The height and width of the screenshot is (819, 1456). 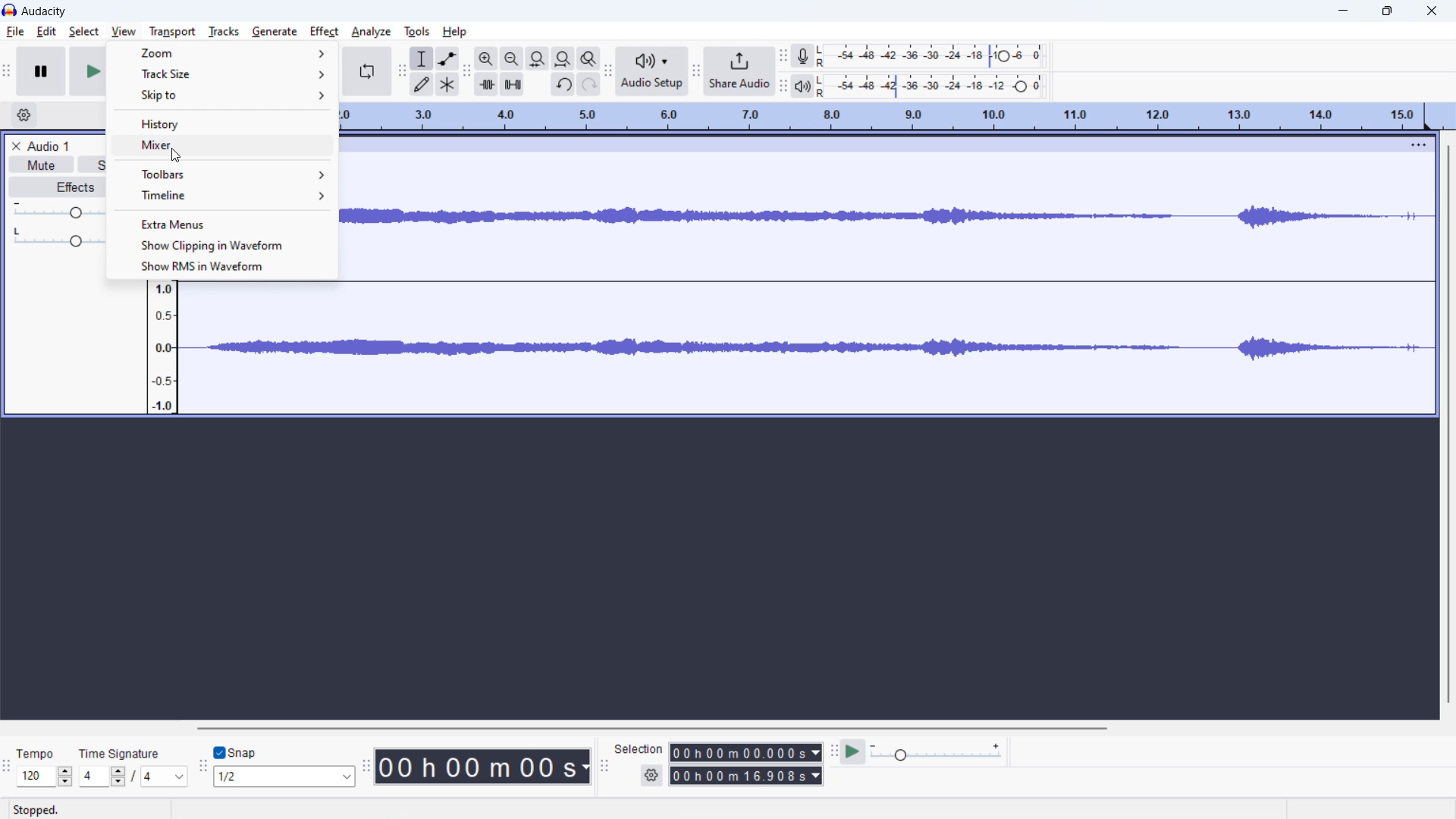 I want to click on effects, so click(x=61, y=187).